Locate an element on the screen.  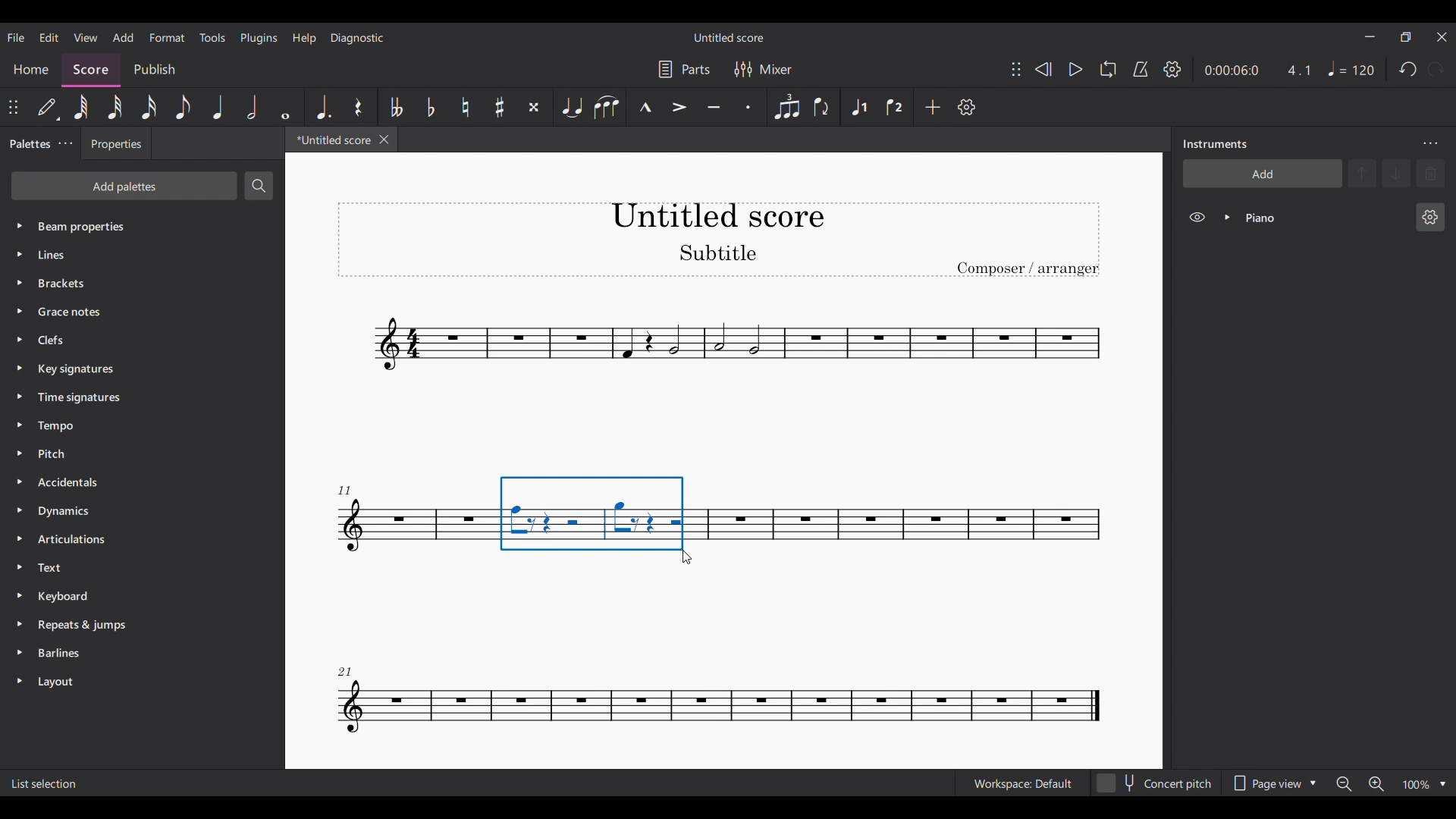
Slur is located at coordinates (608, 107).